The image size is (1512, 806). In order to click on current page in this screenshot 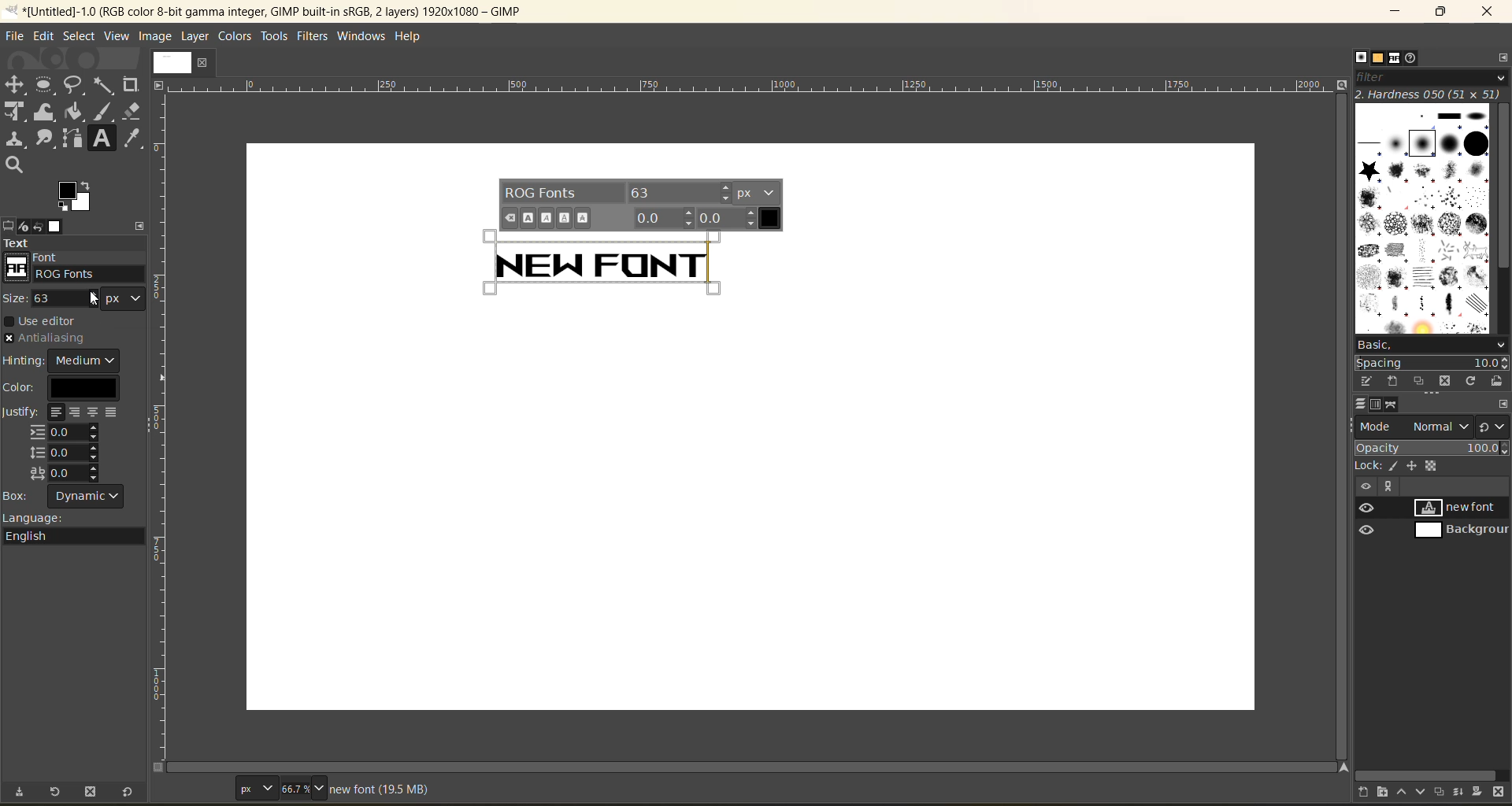, I will do `click(183, 61)`.